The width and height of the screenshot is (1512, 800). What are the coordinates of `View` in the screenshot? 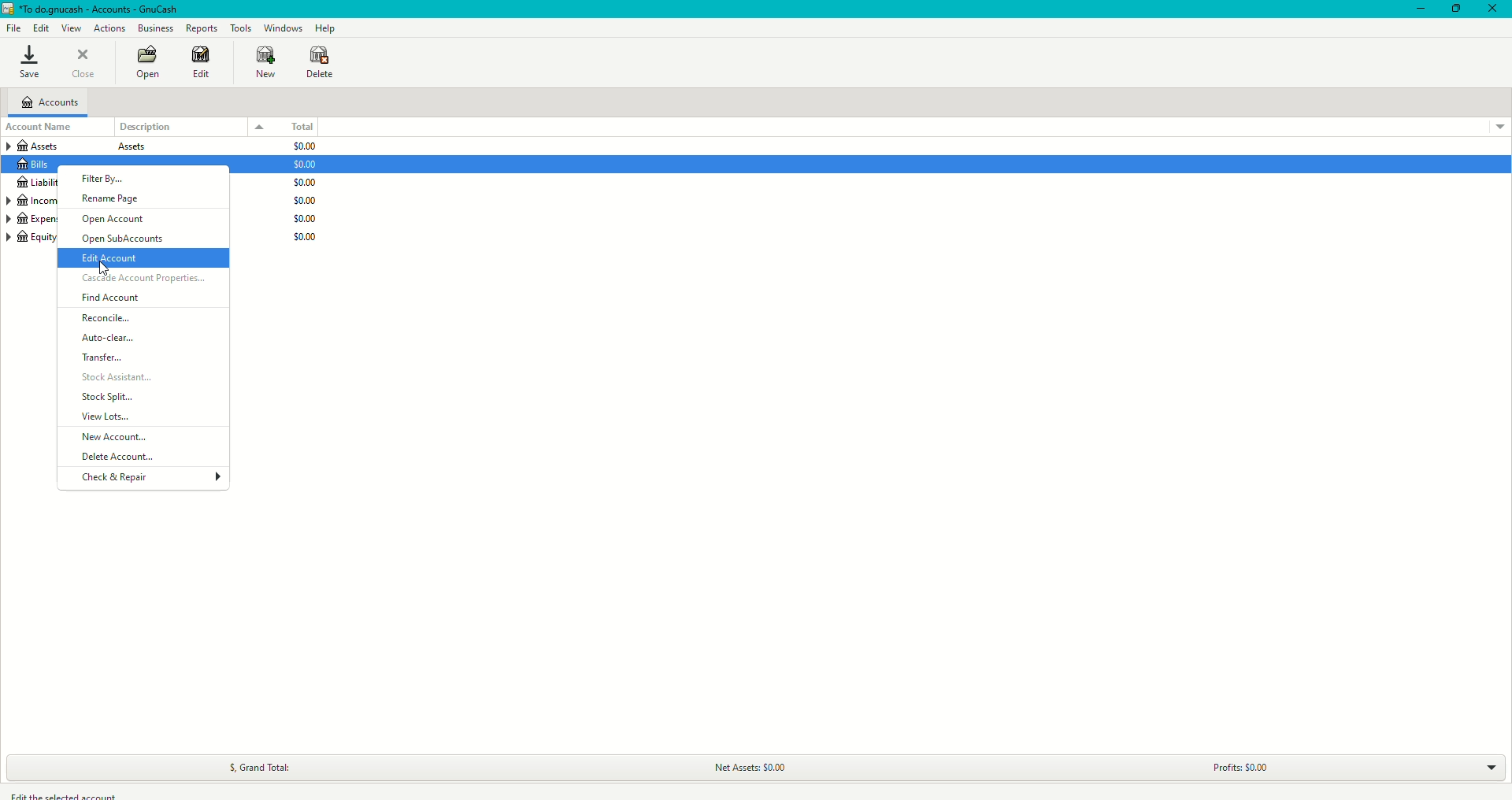 It's located at (73, 29).